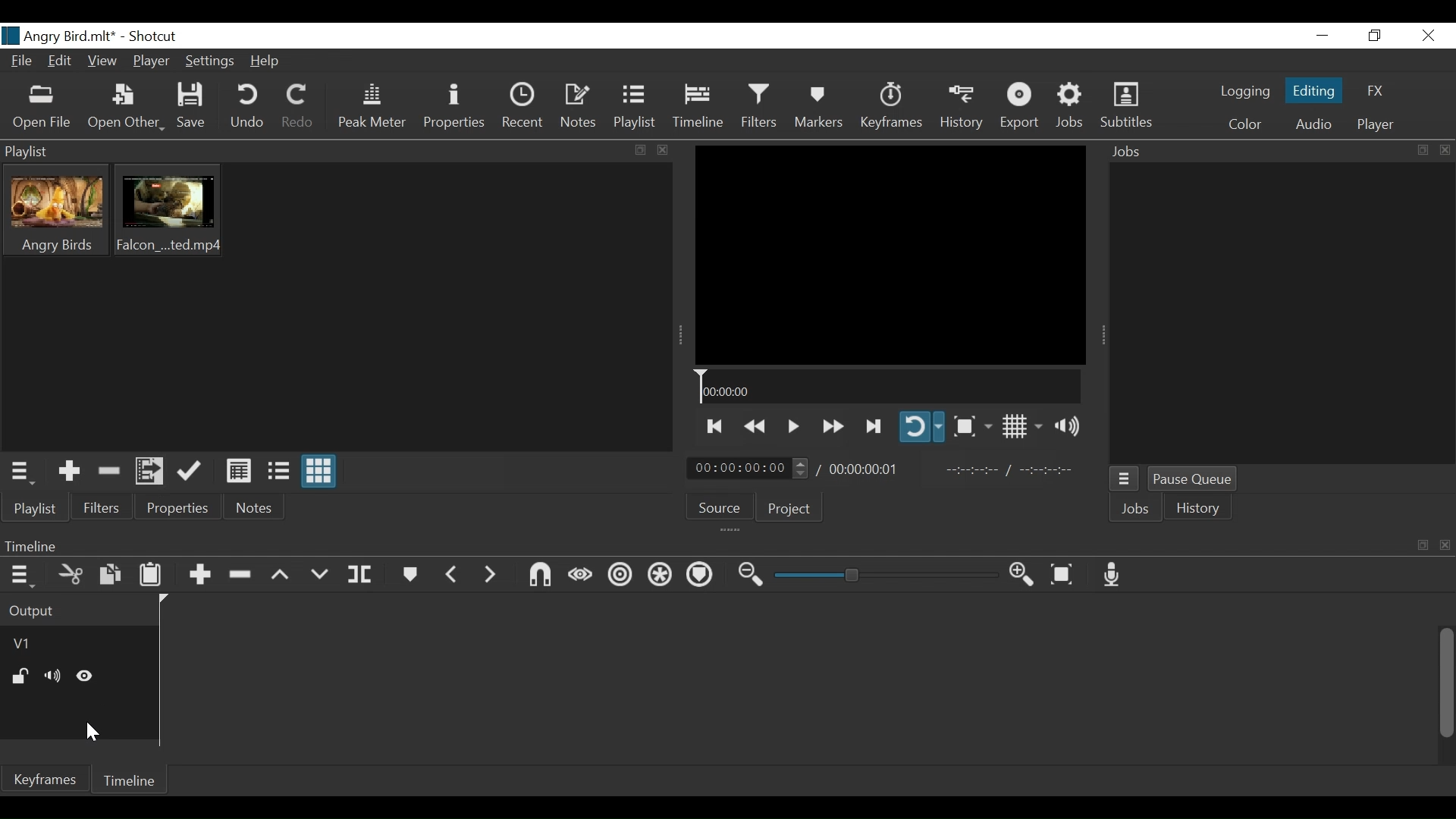 This screenshot has height=819, width=1456. What do you see at coordinates (717, 426) in the screenshot?
I see `Skip to the previous point` at bounding box center [717, 426].